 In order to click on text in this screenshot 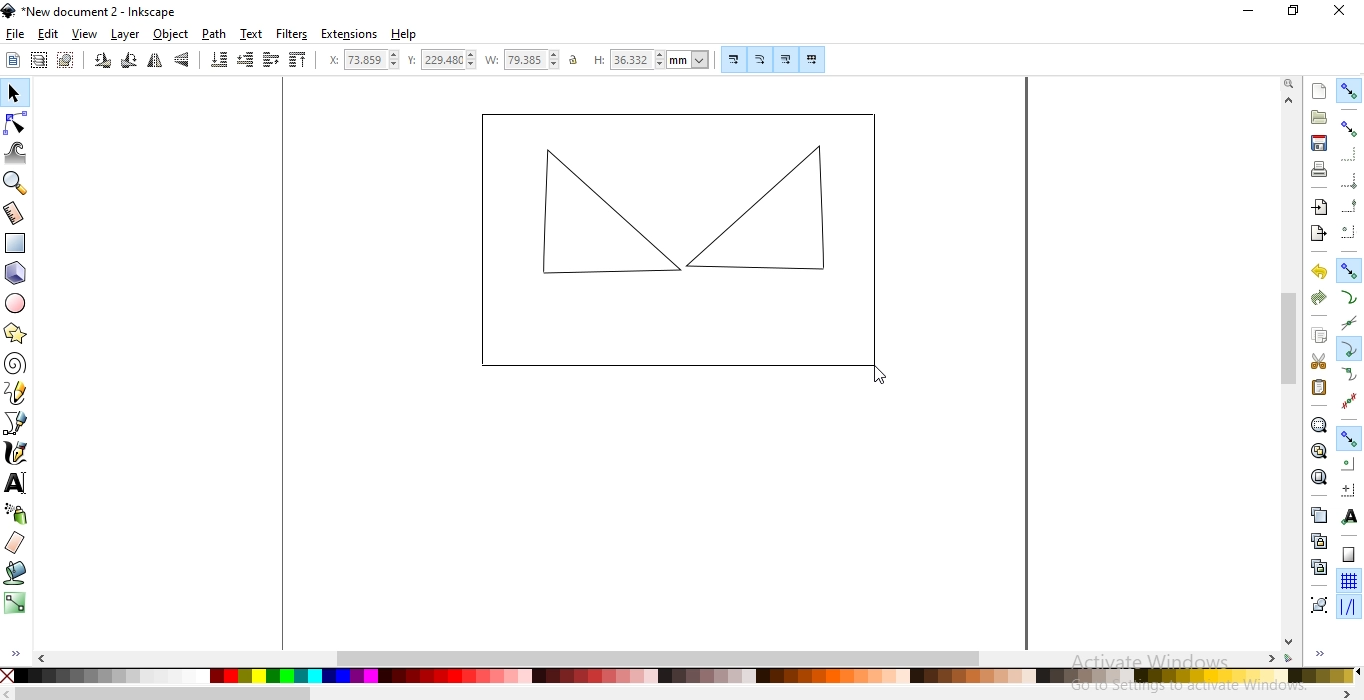, I will do `click(253, 33)`.